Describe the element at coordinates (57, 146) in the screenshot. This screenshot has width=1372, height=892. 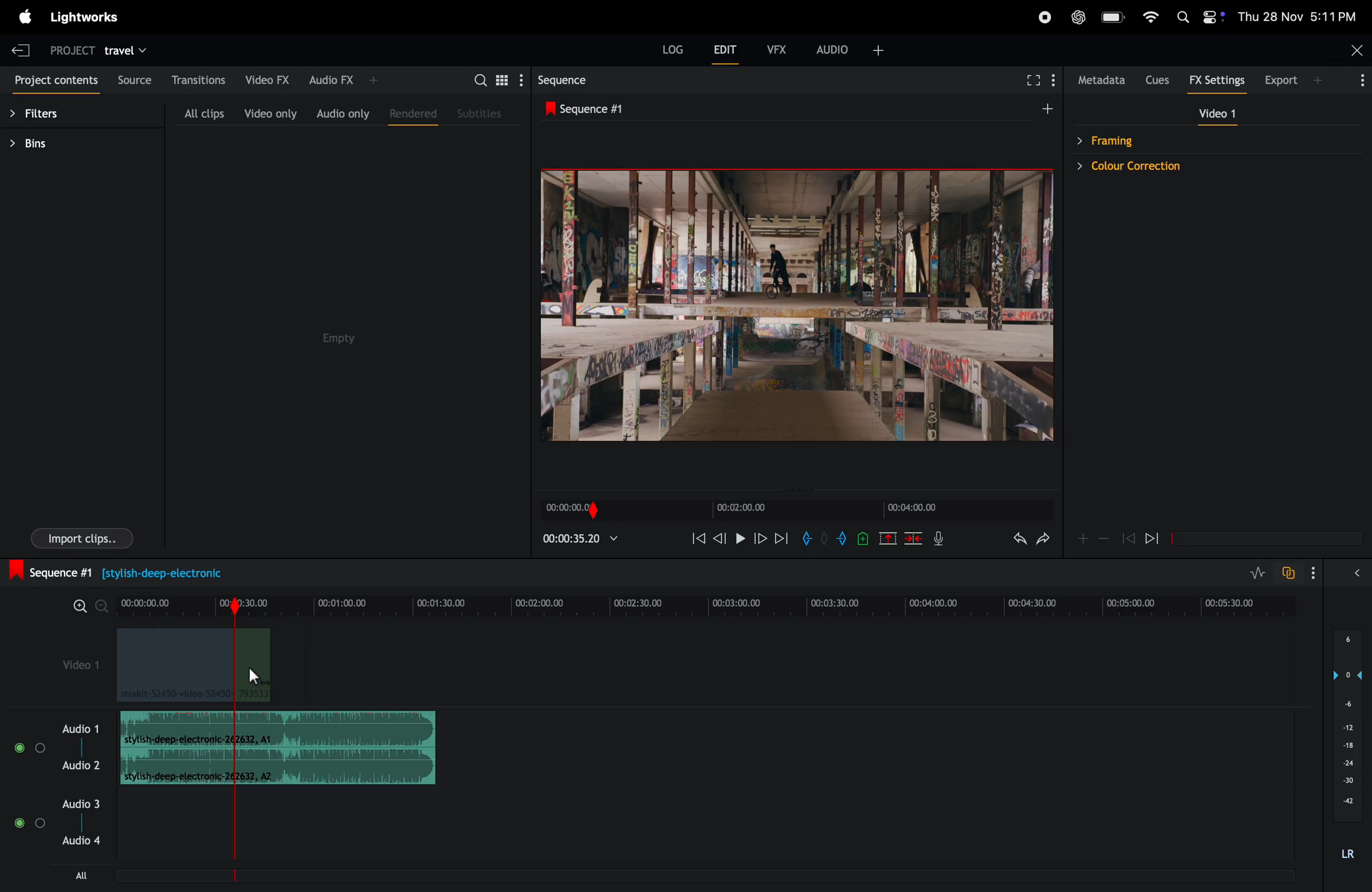
I see `bins` at that location.